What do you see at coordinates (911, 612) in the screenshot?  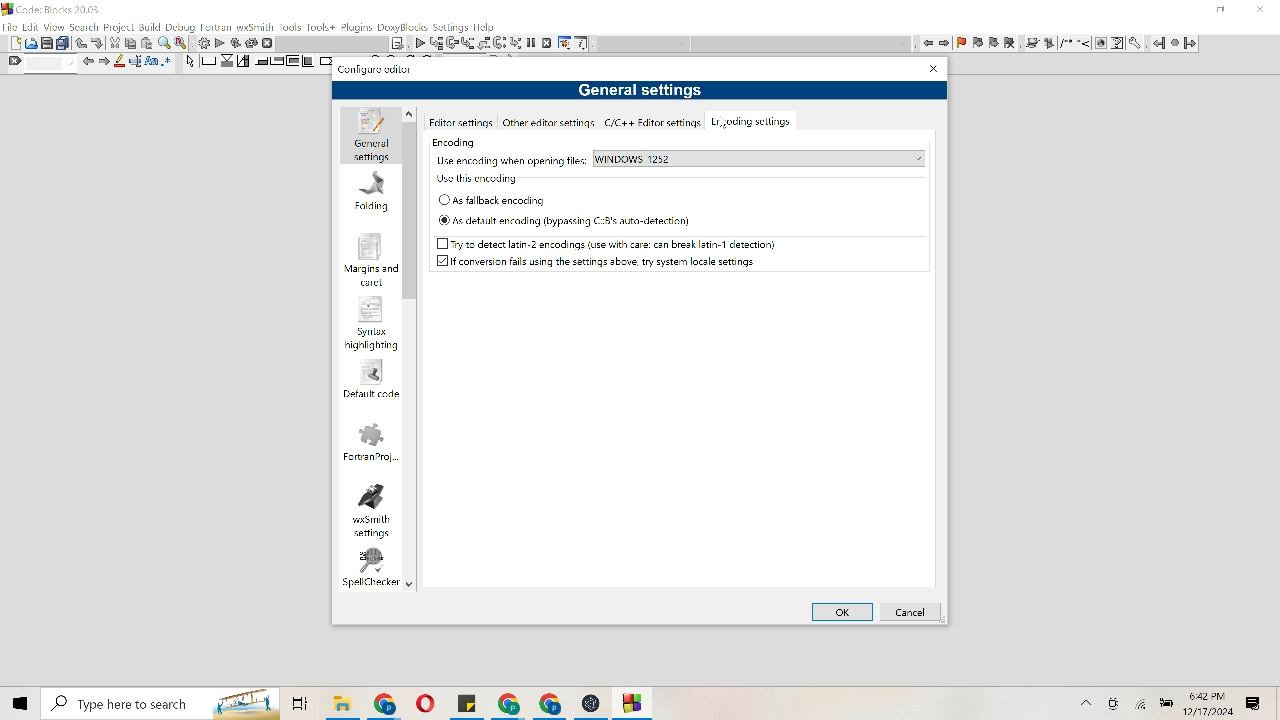 I see `Cancel` at bounding box center [911, 612].